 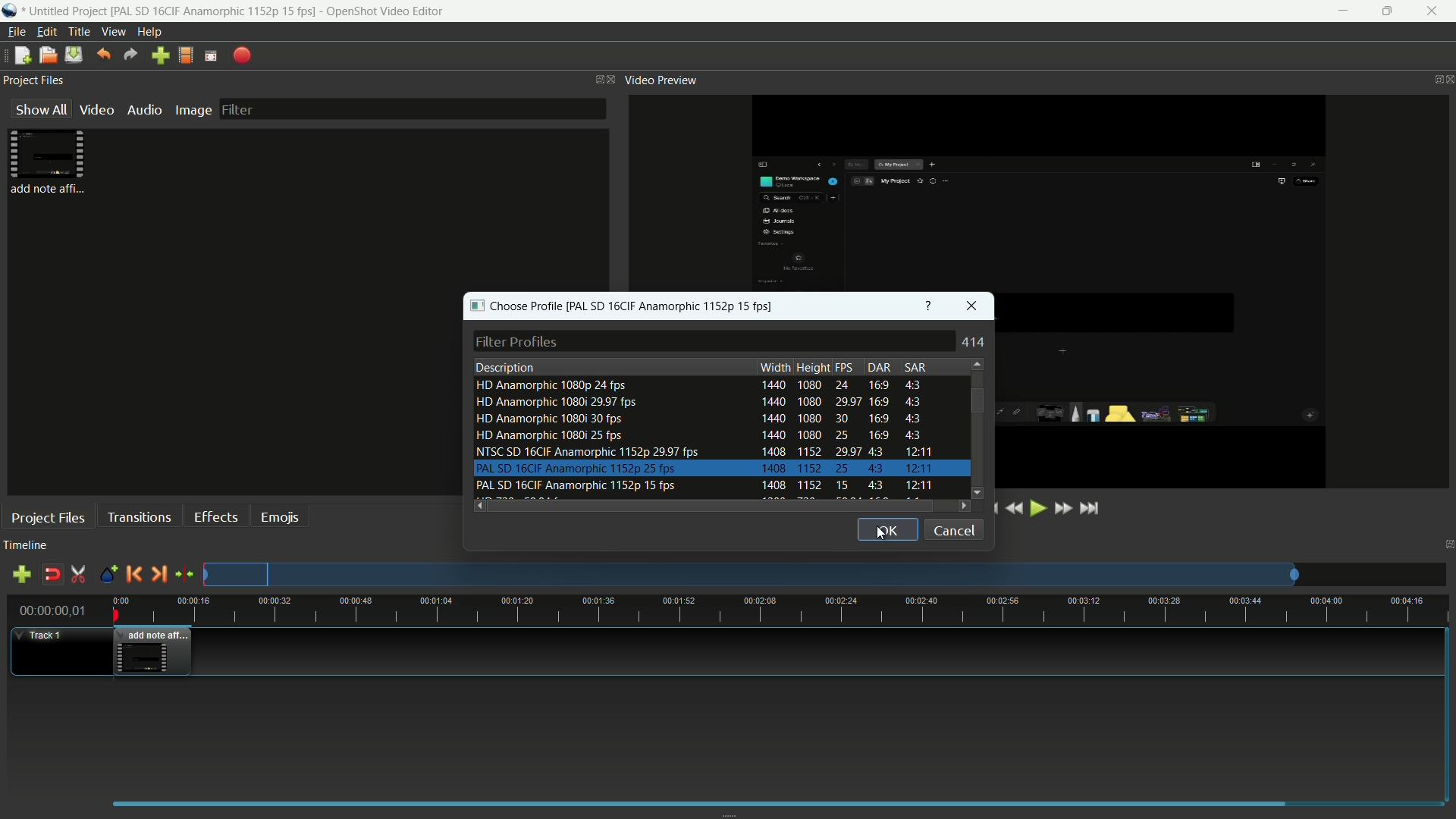 I want to click on video in timeline, so click(x=154, y=651).